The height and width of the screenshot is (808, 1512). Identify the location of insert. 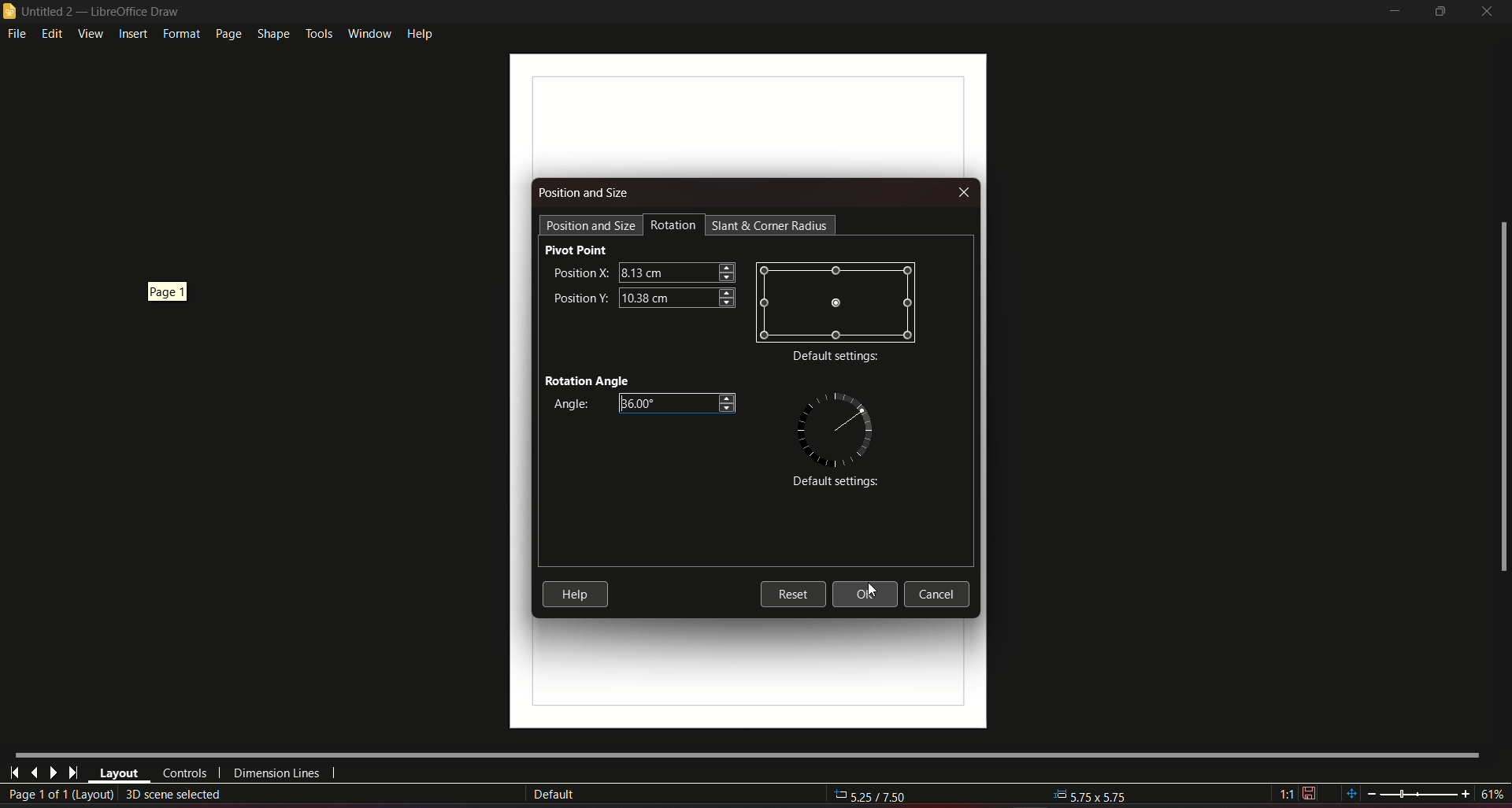
(132, 35).